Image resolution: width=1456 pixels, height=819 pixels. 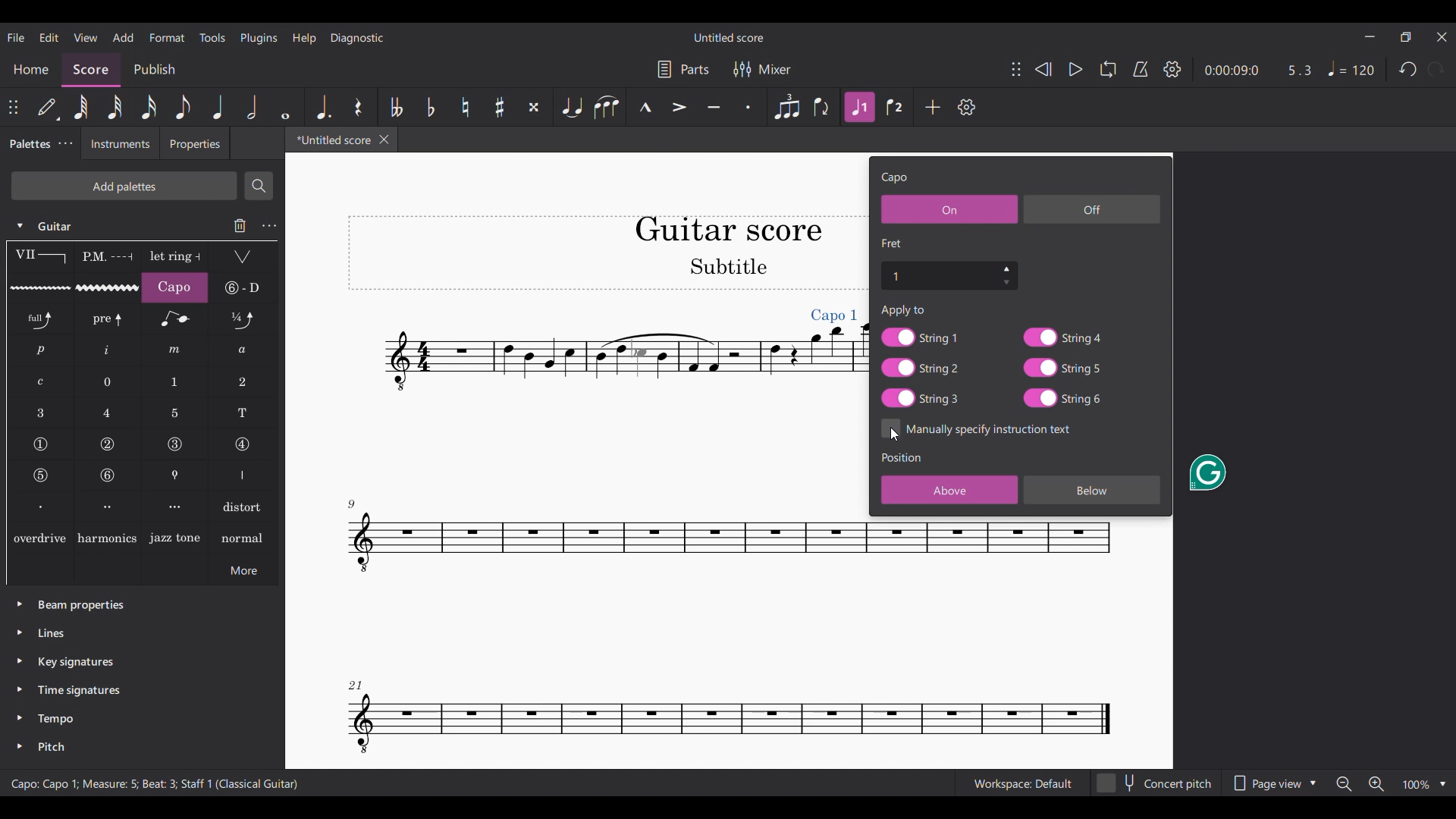 I want to click on Edit menu, so click(x=49, y=38).